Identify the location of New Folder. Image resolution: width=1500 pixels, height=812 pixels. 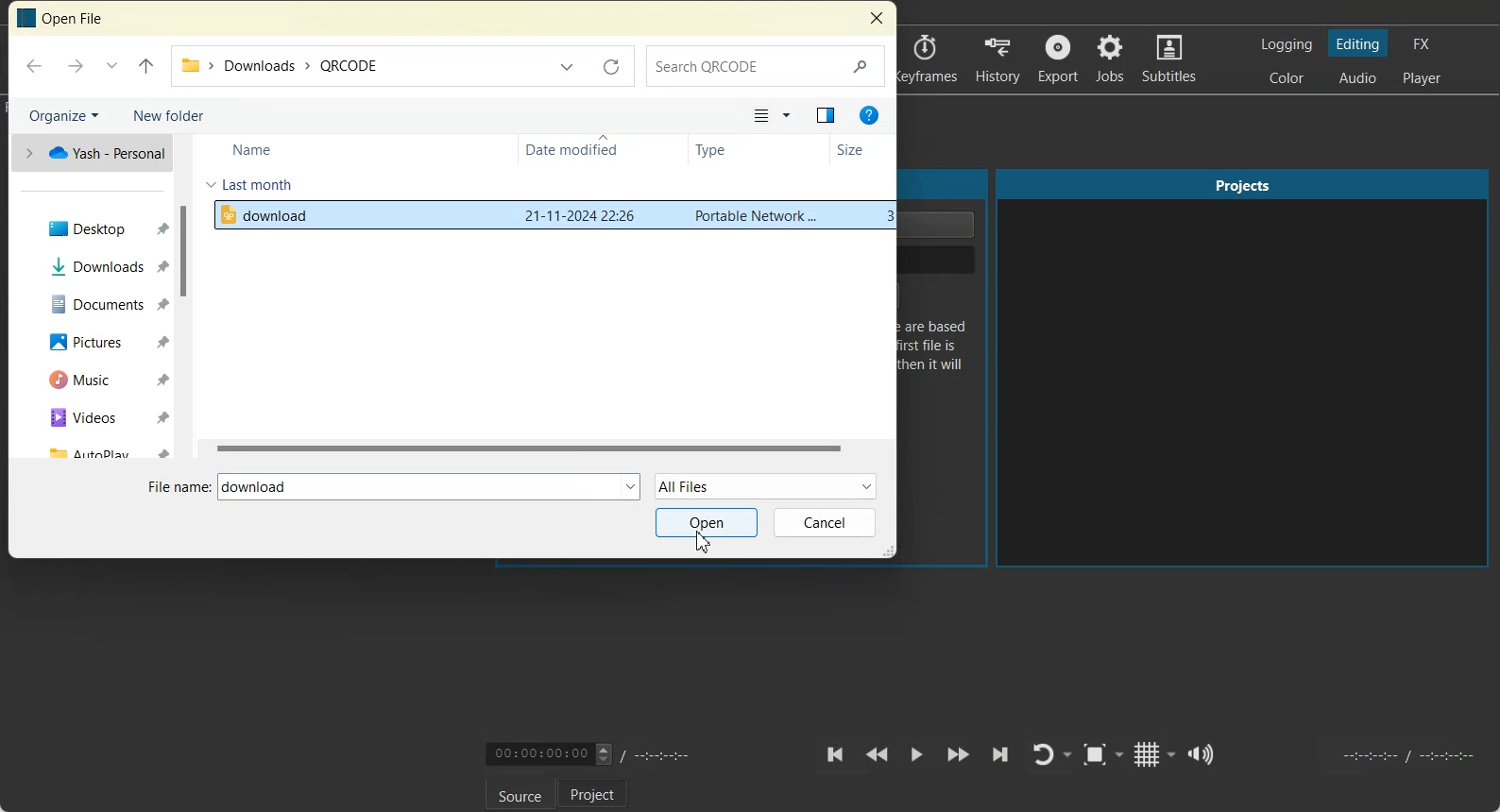
(169, 114).